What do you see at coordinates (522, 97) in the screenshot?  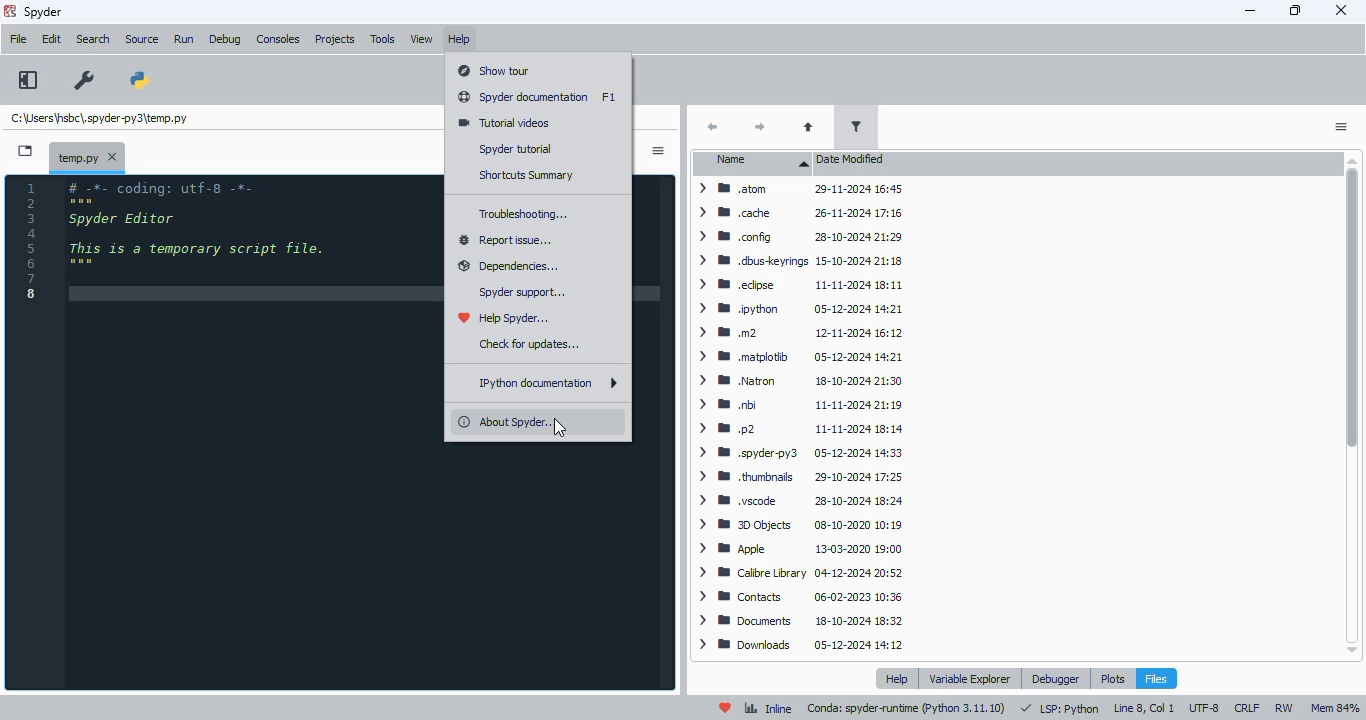 I see `spyder documentation` at bounding box center [522, 97].